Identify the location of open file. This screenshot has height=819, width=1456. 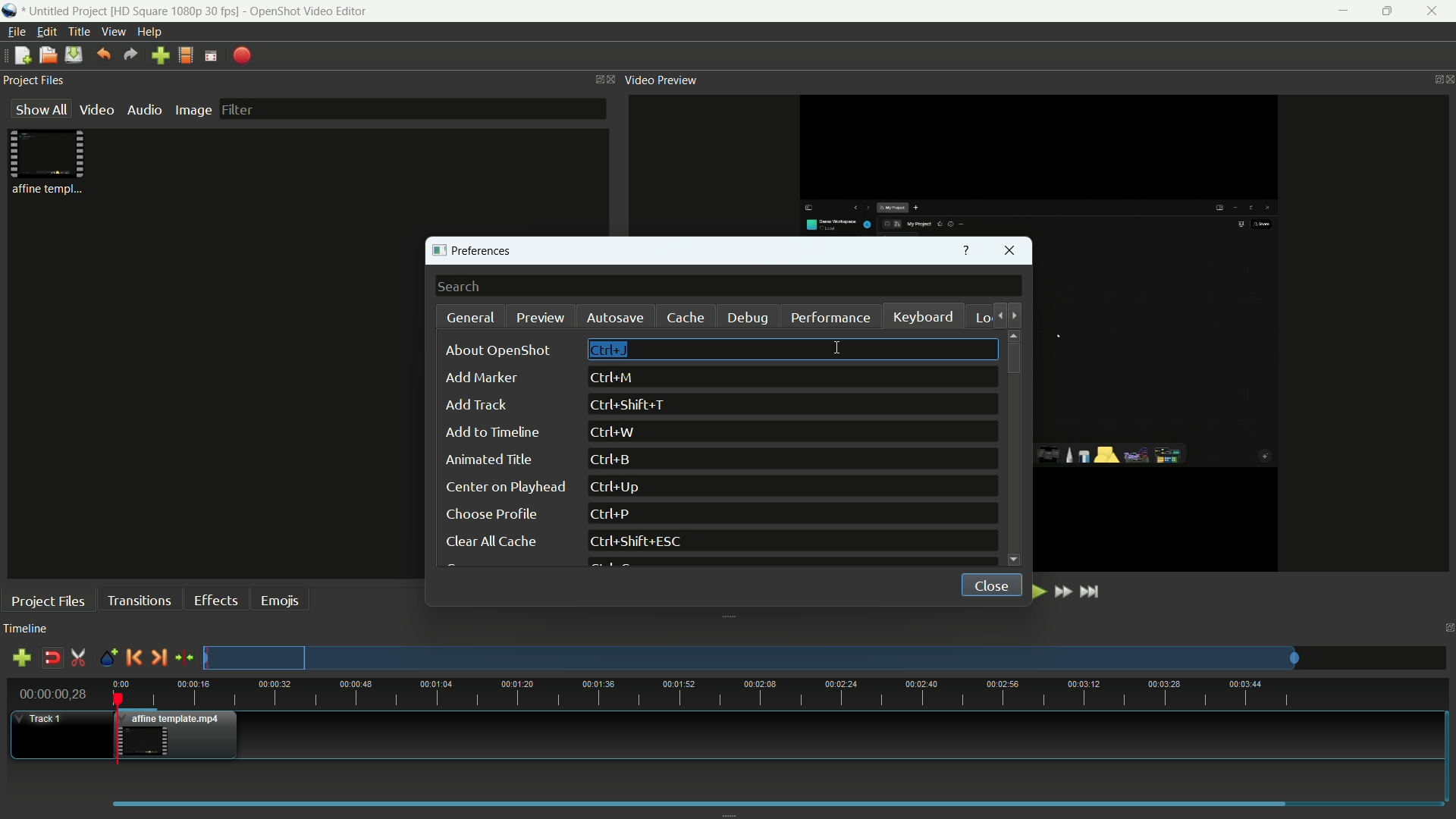
(48, 55).